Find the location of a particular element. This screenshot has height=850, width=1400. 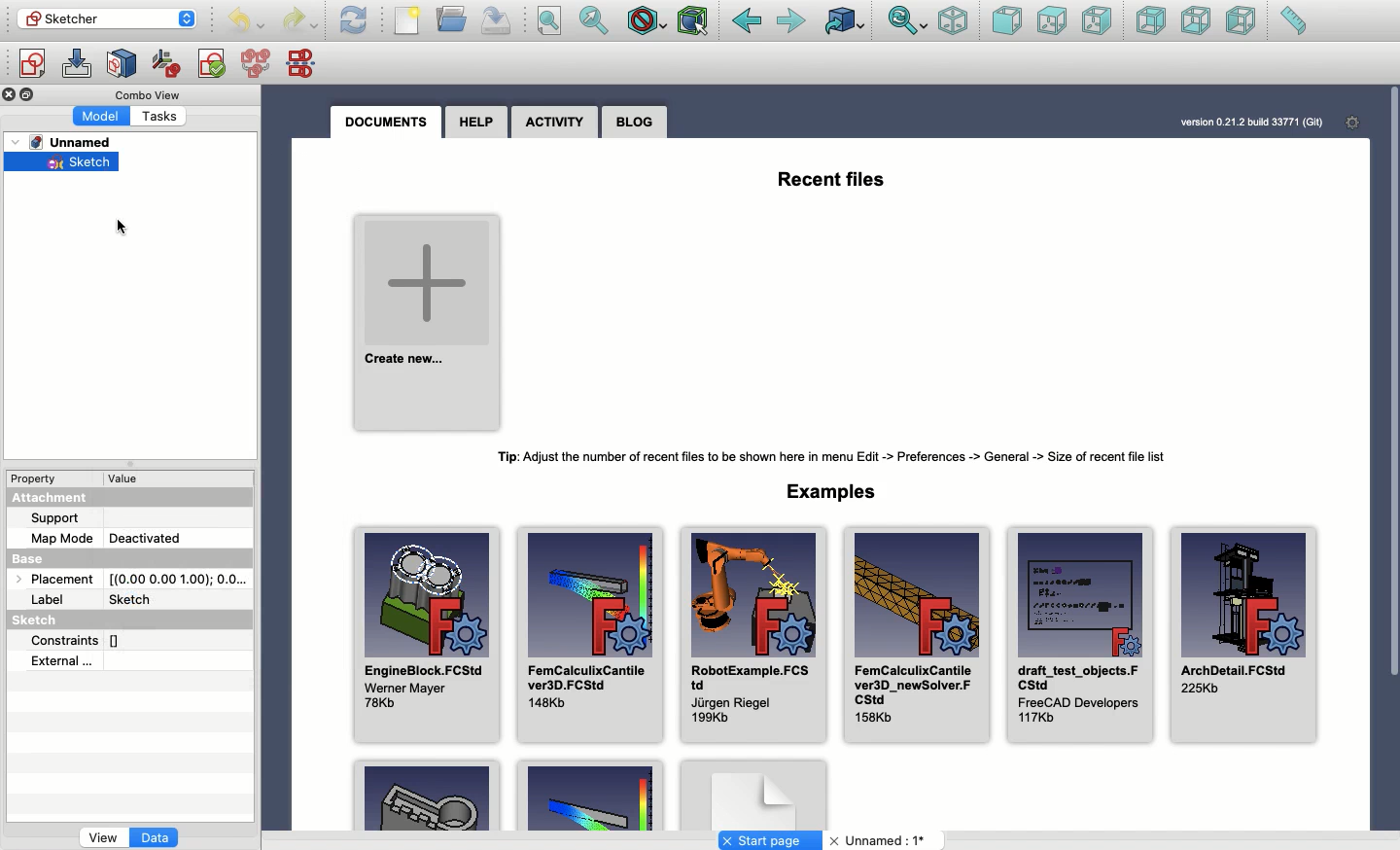

Blog is located at coordinates (636, 122).